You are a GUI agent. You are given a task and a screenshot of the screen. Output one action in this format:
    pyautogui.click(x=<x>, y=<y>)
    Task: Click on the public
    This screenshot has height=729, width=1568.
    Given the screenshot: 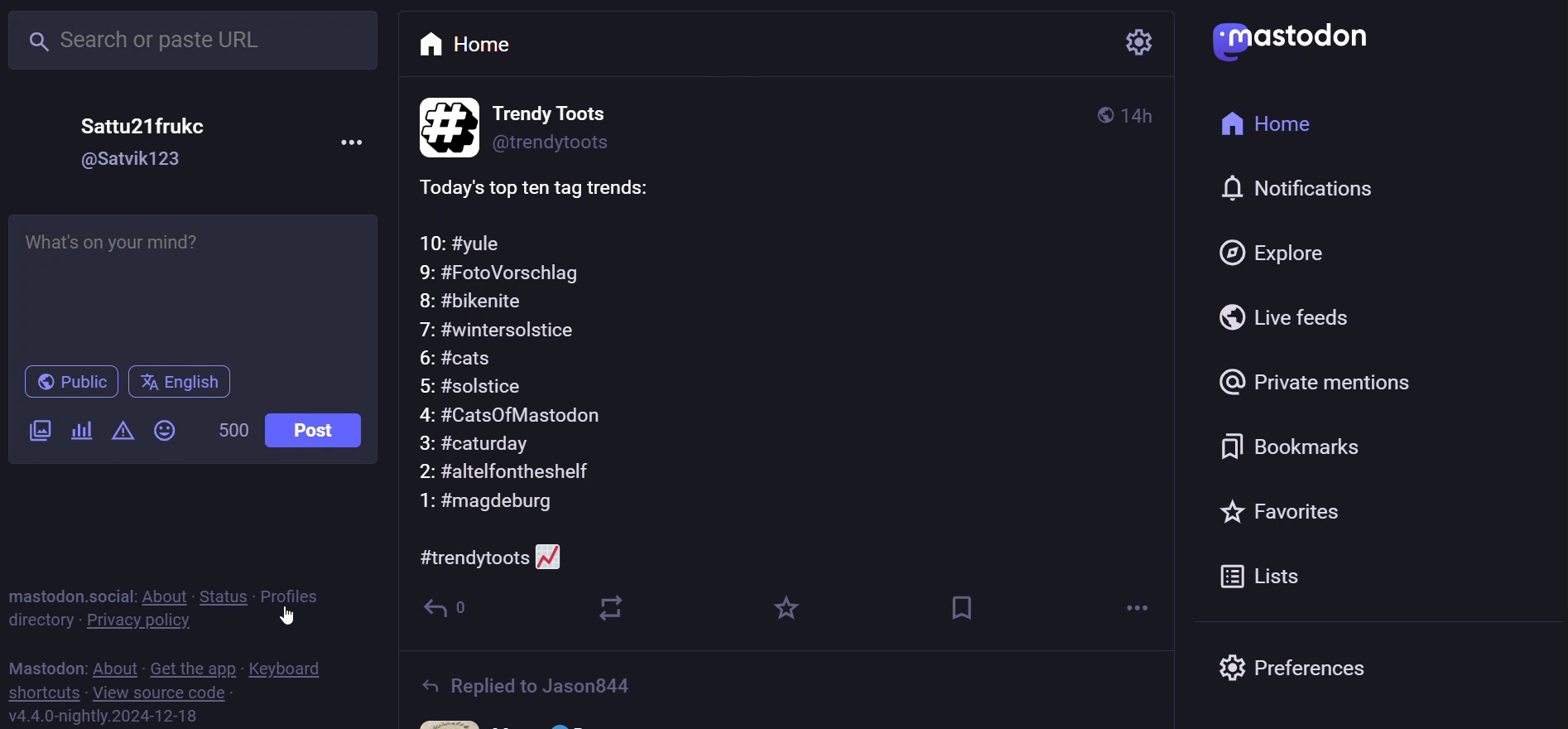 What is the action you would take?
    pyautogui.click(x=1088, y=112)
    